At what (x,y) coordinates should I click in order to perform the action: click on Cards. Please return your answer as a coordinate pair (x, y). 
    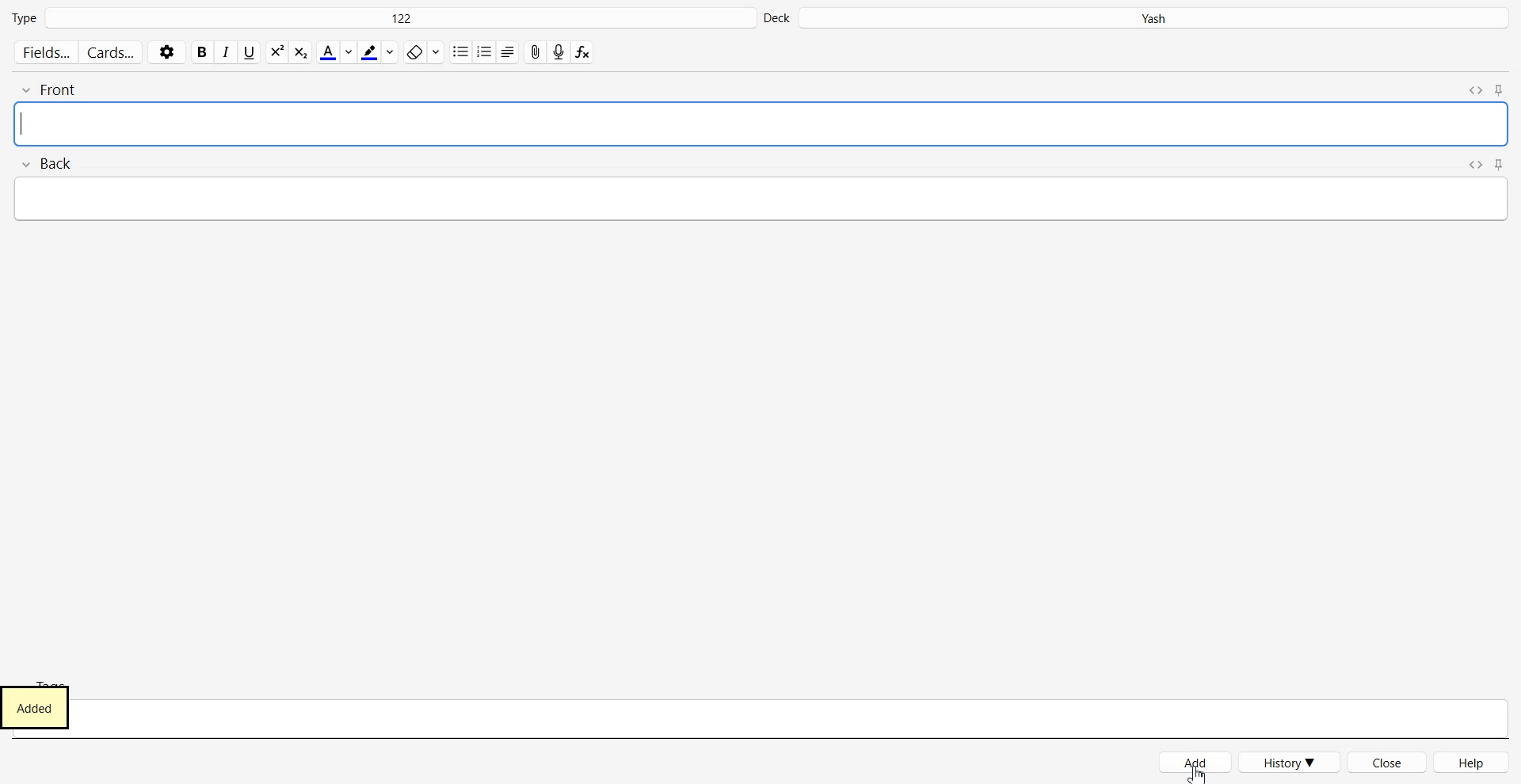
    Looking at the image, I should click on (112, 52).